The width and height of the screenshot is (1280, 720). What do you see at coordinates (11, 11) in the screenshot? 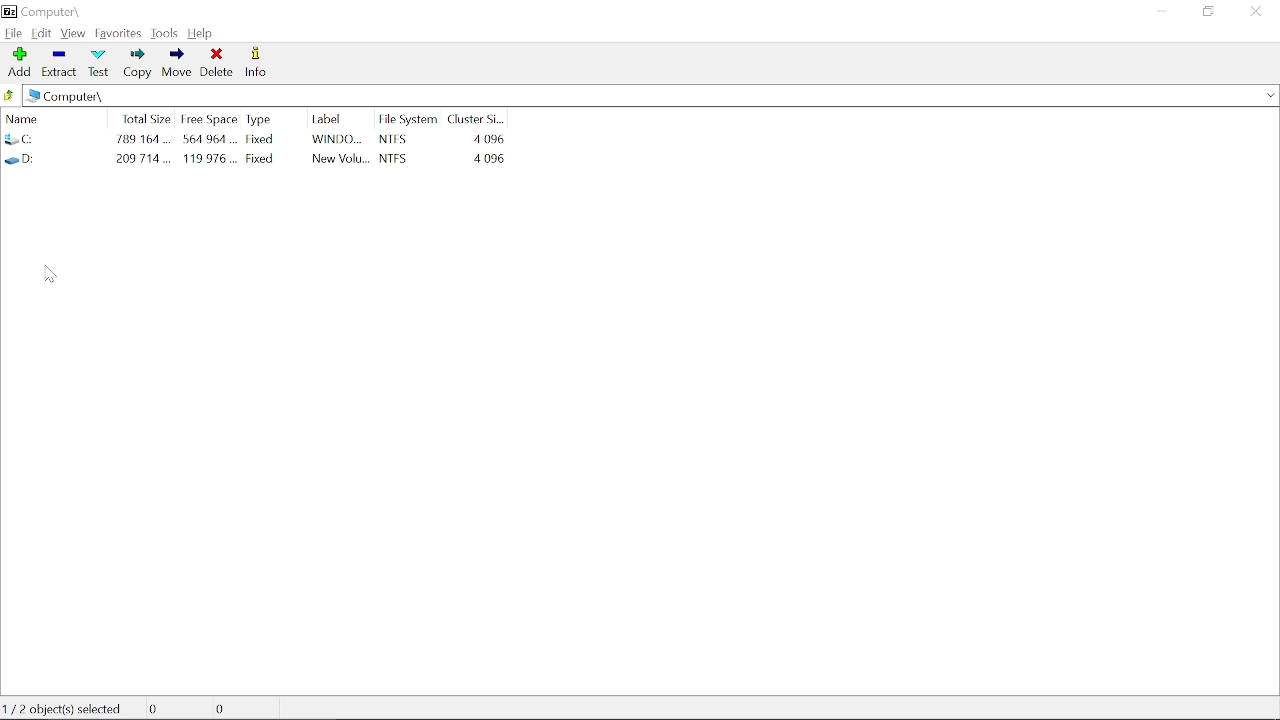
I see `7 zip logo` at bounding box center [11, 11].